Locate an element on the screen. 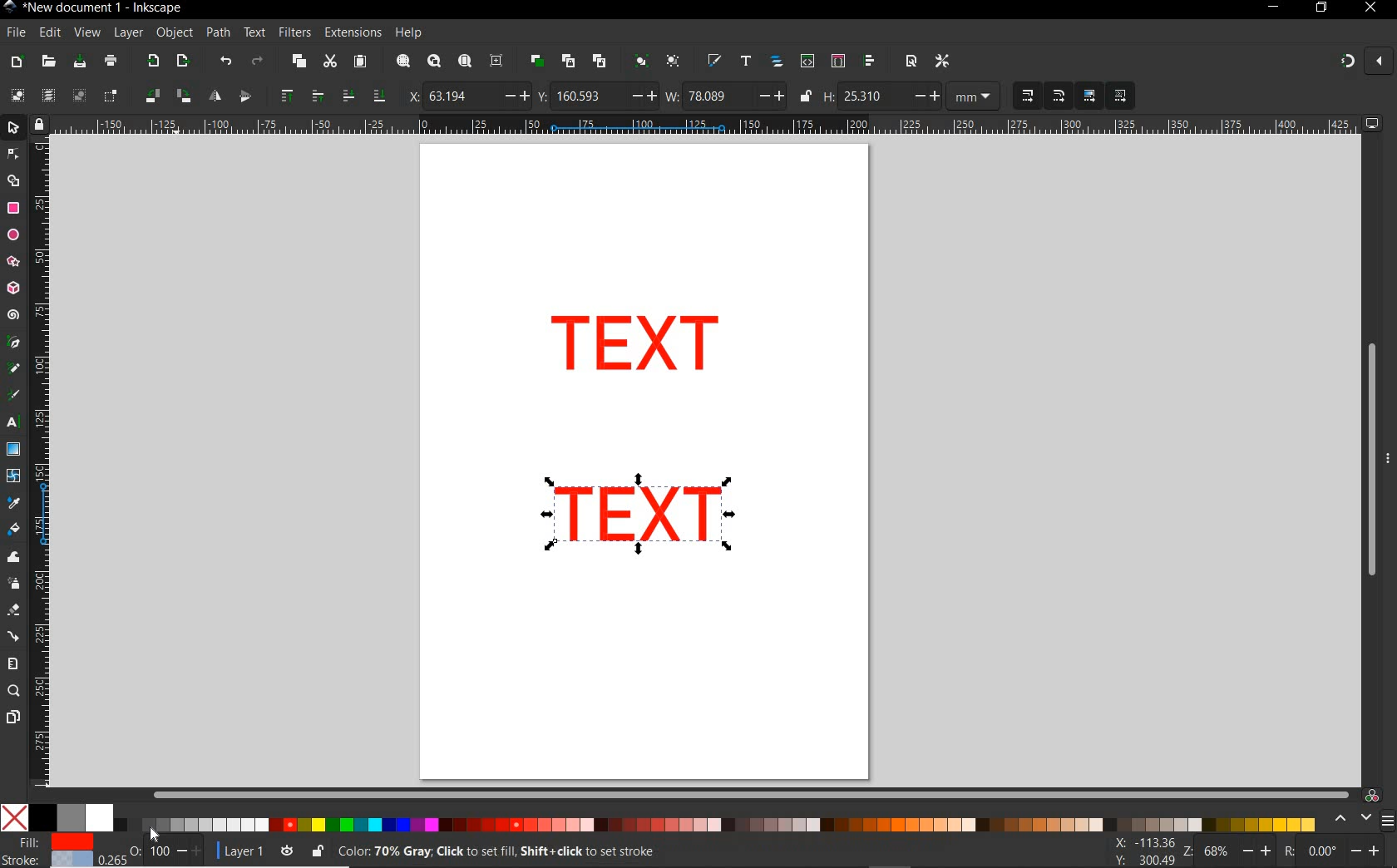 The width and height of the screenshot is (1397, 868). save is located at coordinates (80, 62).